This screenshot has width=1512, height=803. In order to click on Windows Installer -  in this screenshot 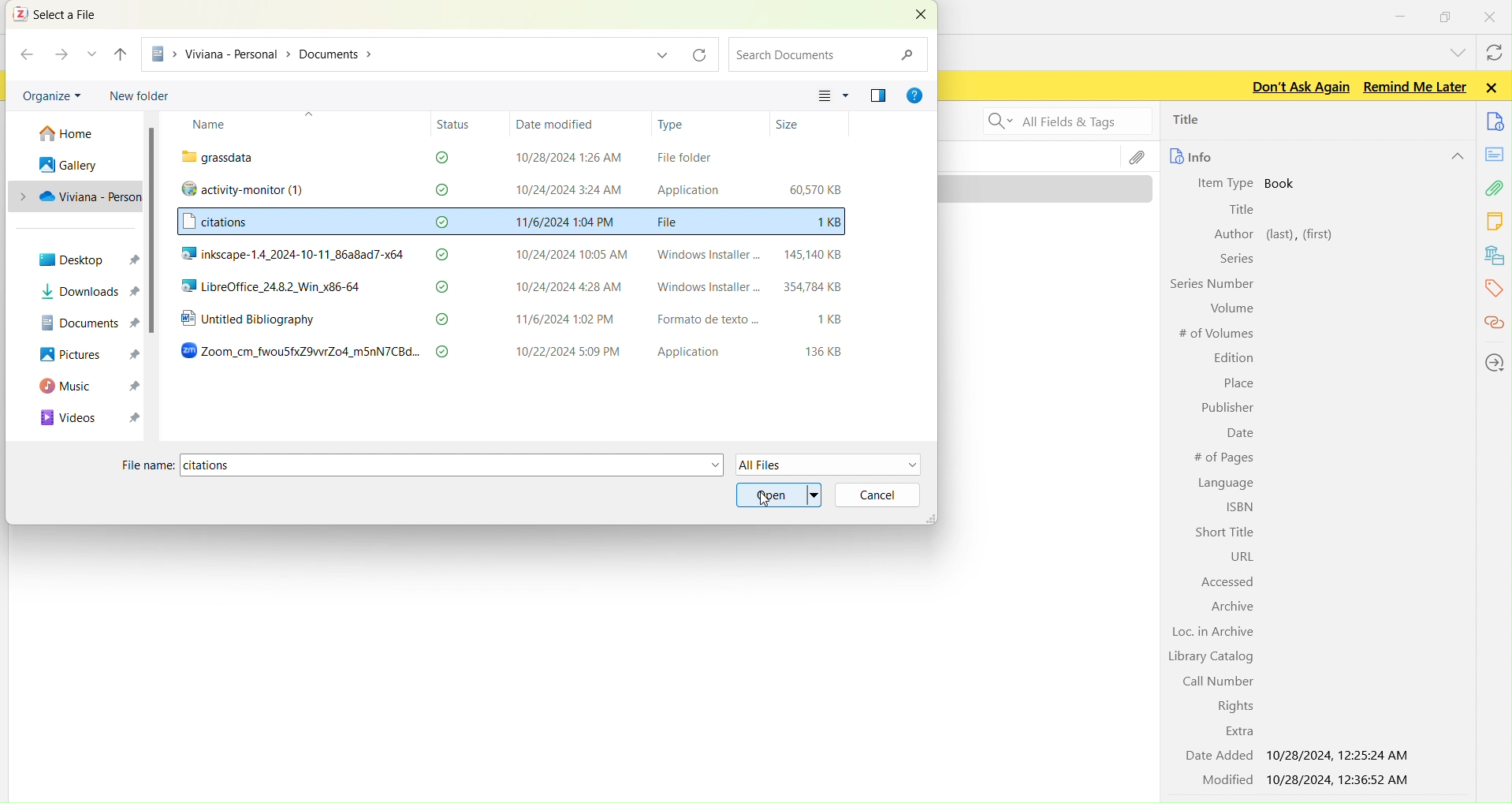, I will do `click(708, 287)`.